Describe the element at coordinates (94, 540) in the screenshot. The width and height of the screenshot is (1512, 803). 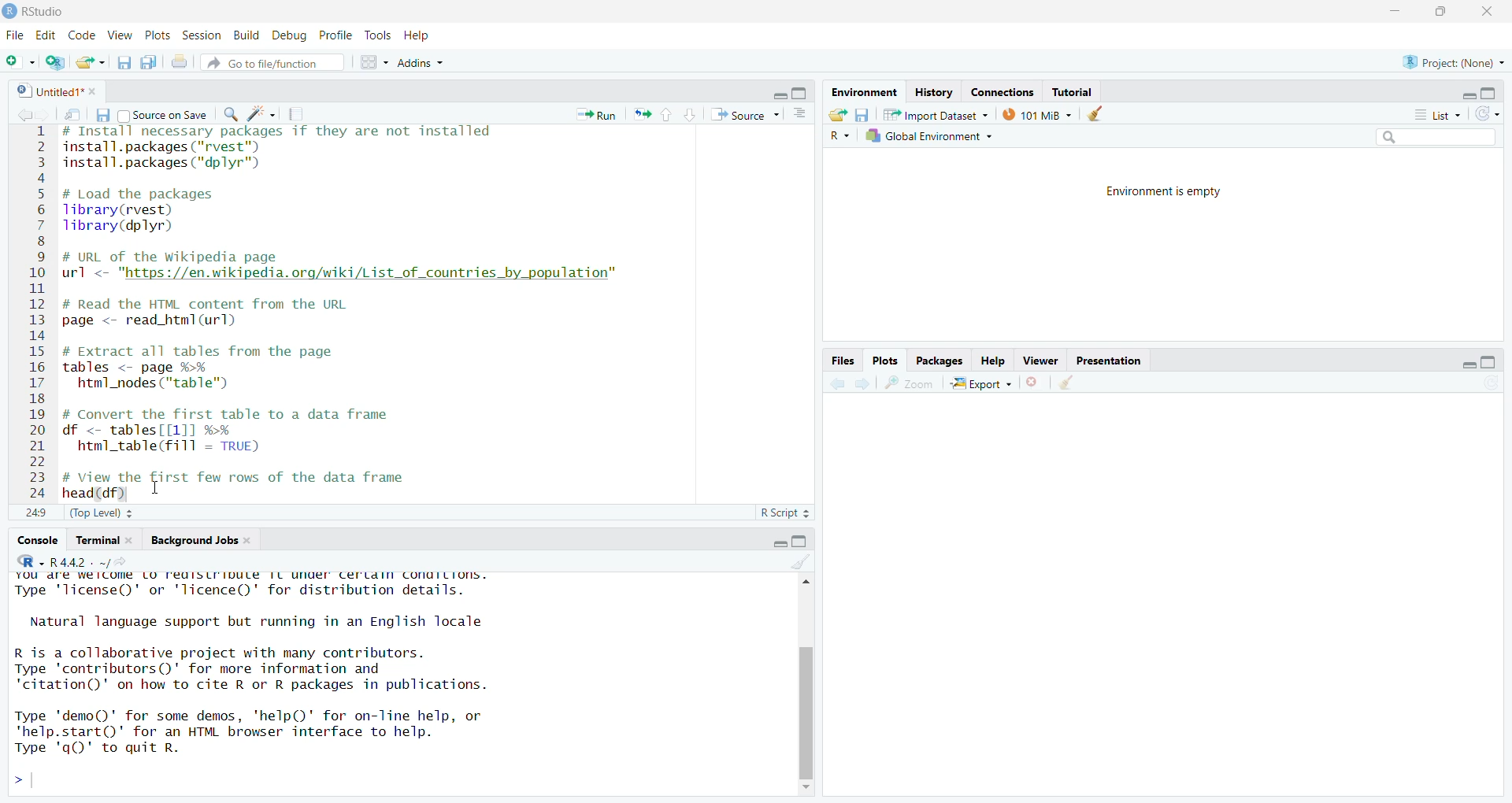
I see `Terminal` at that location.